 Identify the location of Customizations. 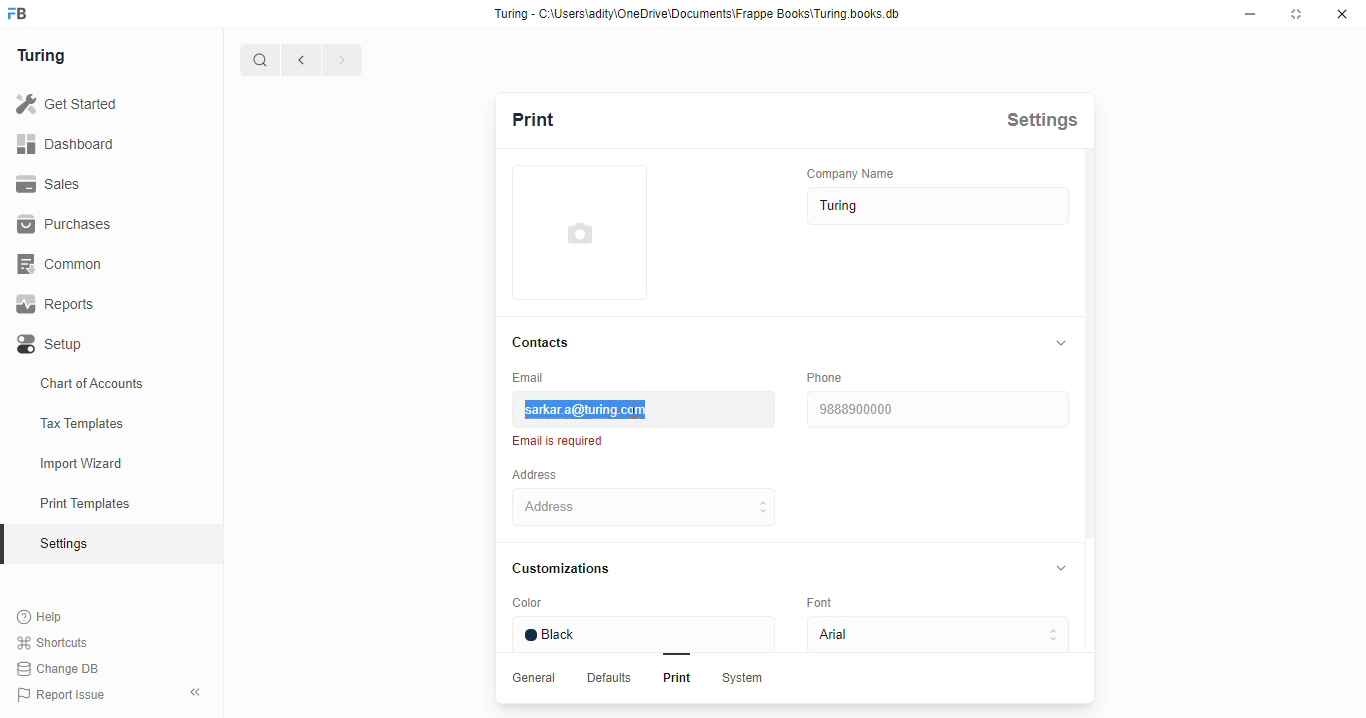
(571, 568).